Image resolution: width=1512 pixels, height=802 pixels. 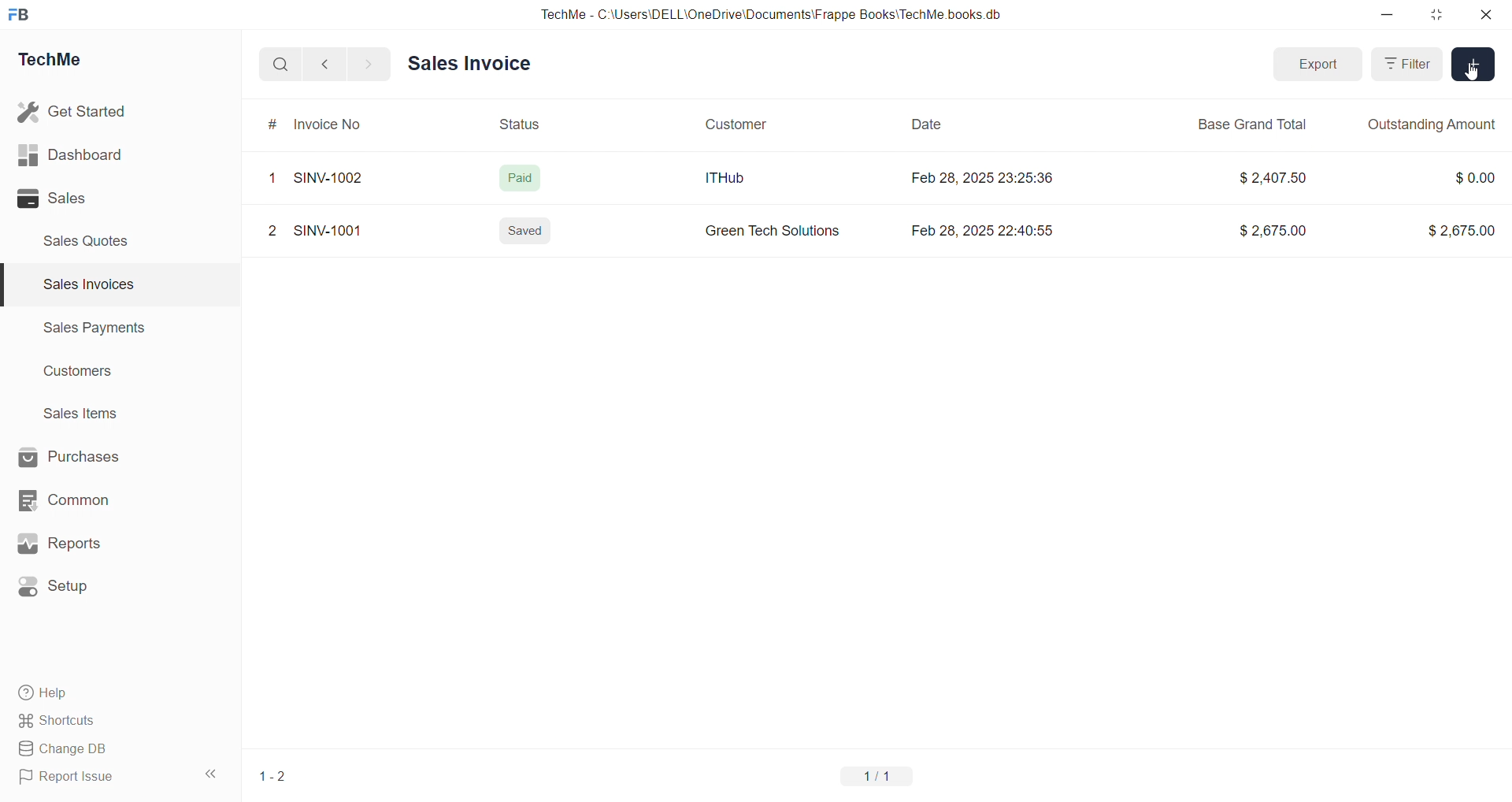 I want to click on Sales Payments, so click(x=87, y=330).